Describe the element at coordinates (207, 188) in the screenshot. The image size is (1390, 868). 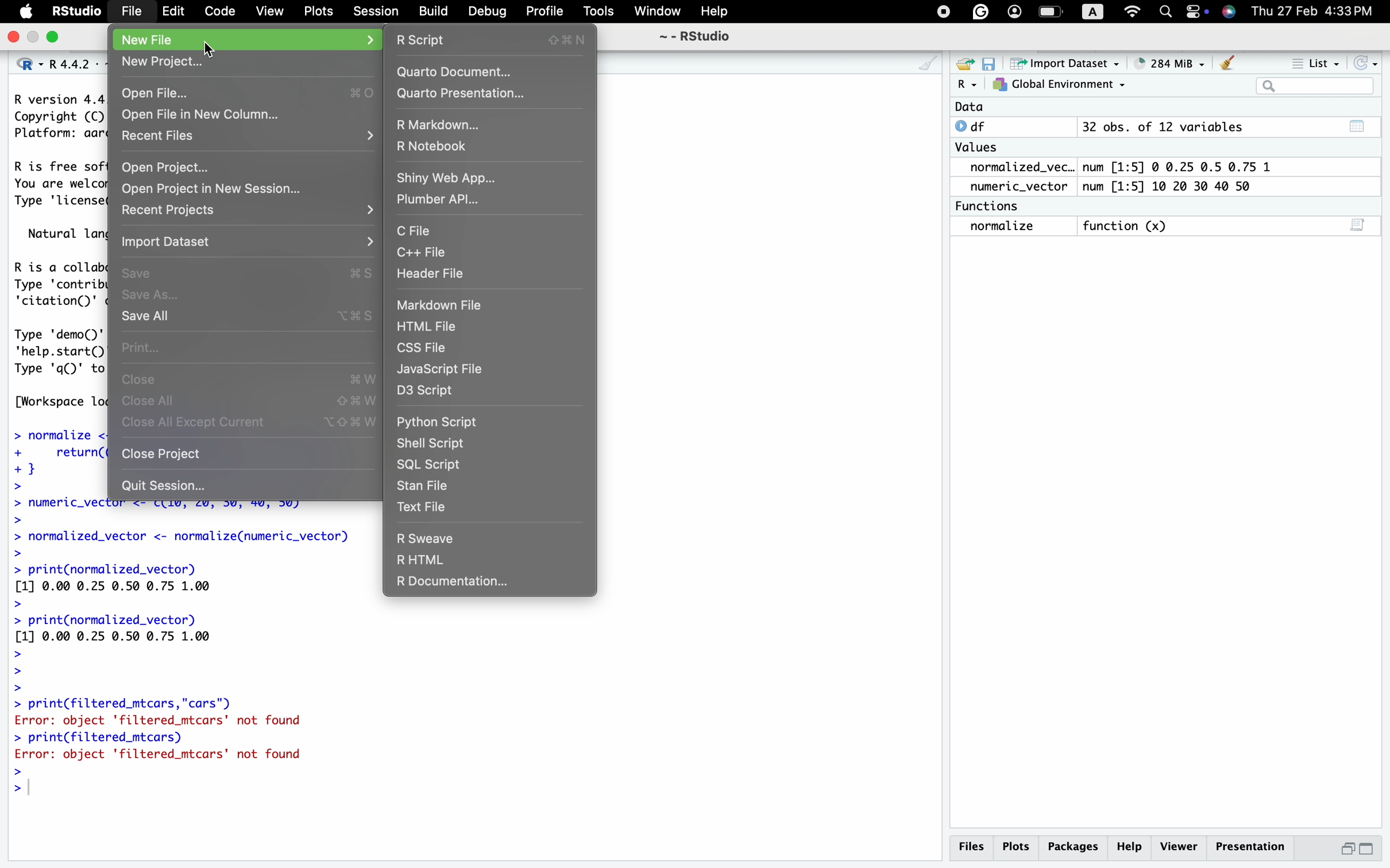
I see `Open Project in New Session...` at that location.